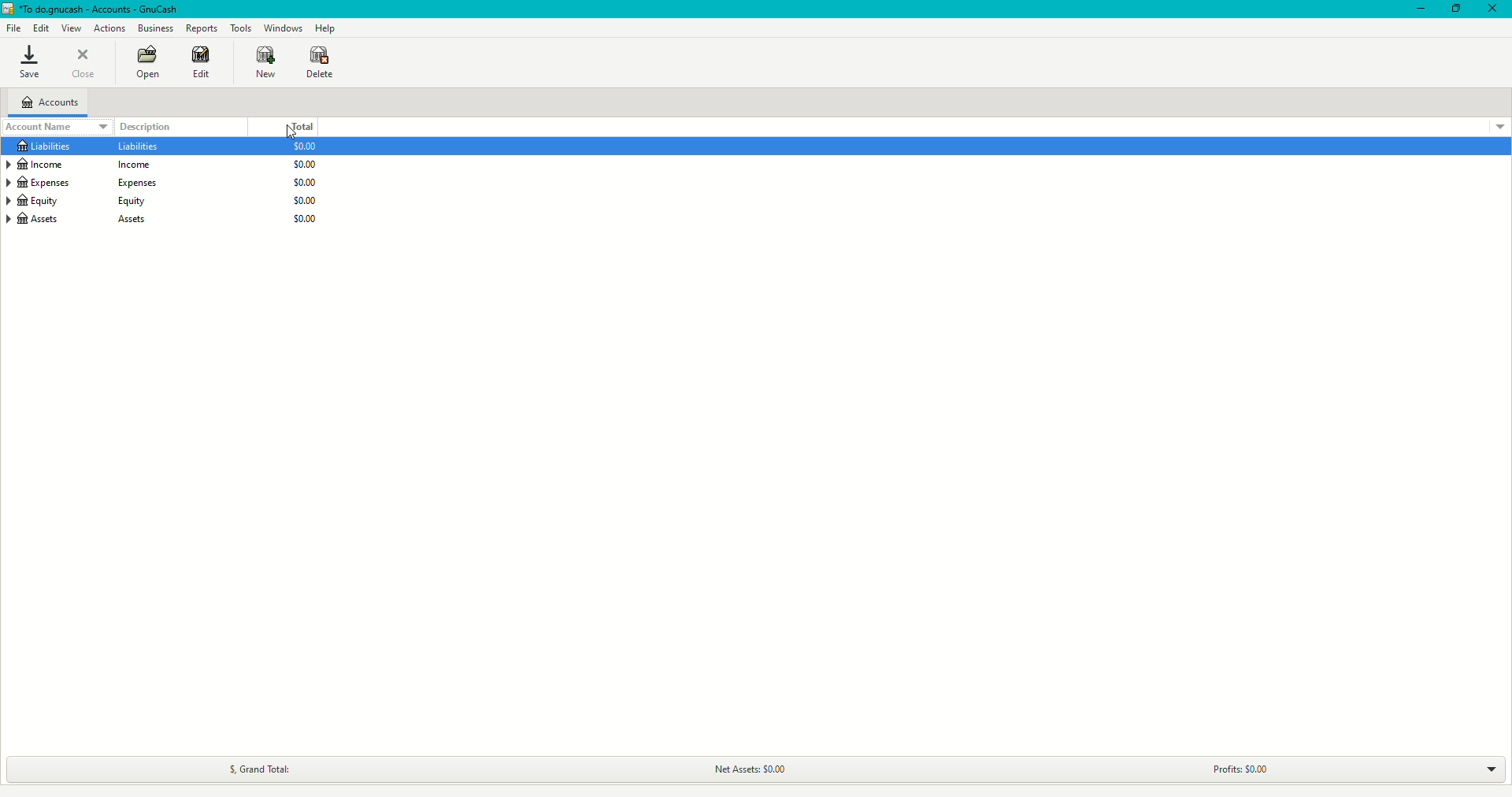 This screenshot has height=797, width=1512. What do you see at coordinates (1491, 769) in the screenshot?
I see `Drop Down` at bounding box center [1491, 769].